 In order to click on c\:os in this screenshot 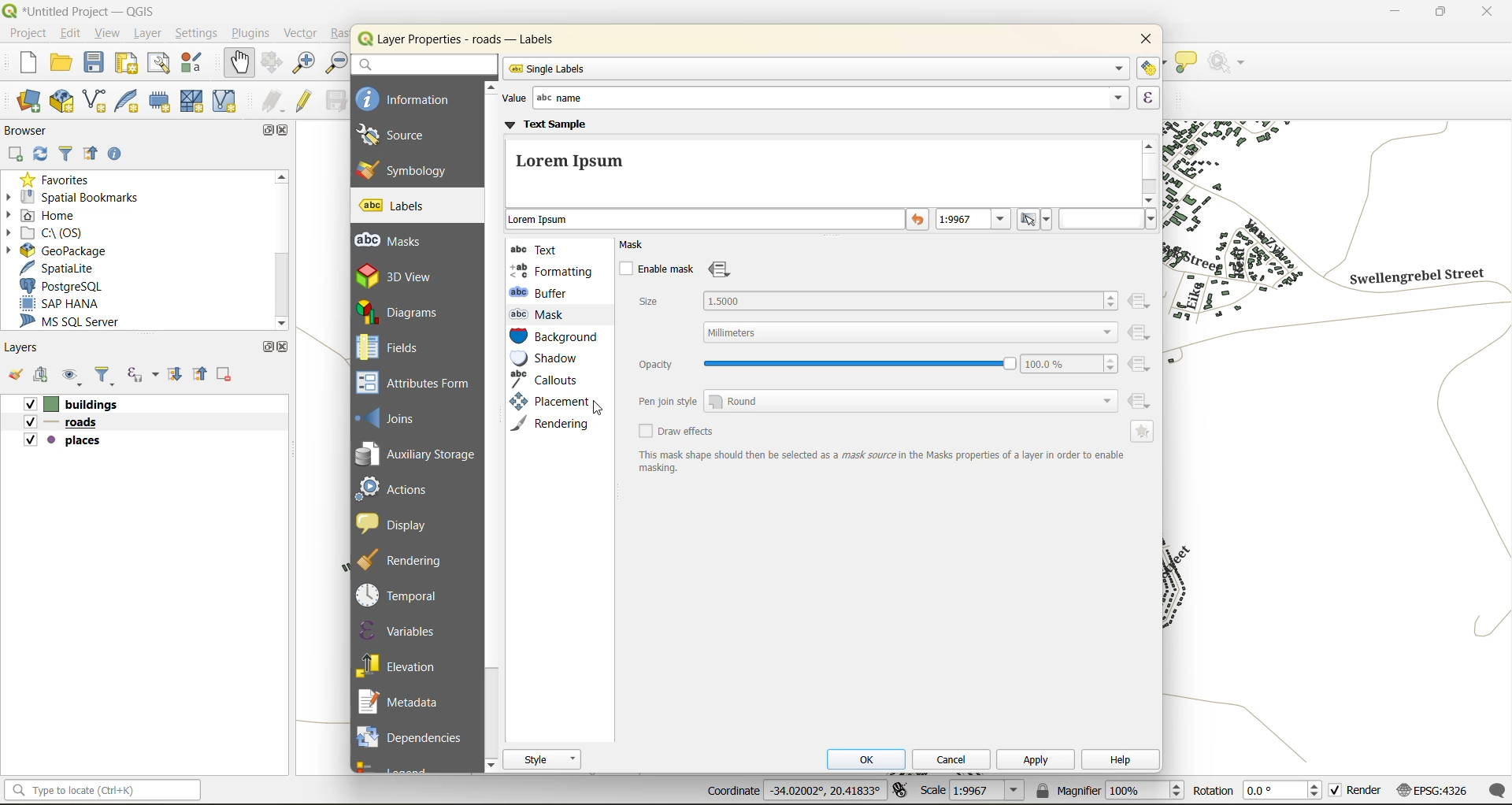, I will do `click(57, 234)`.